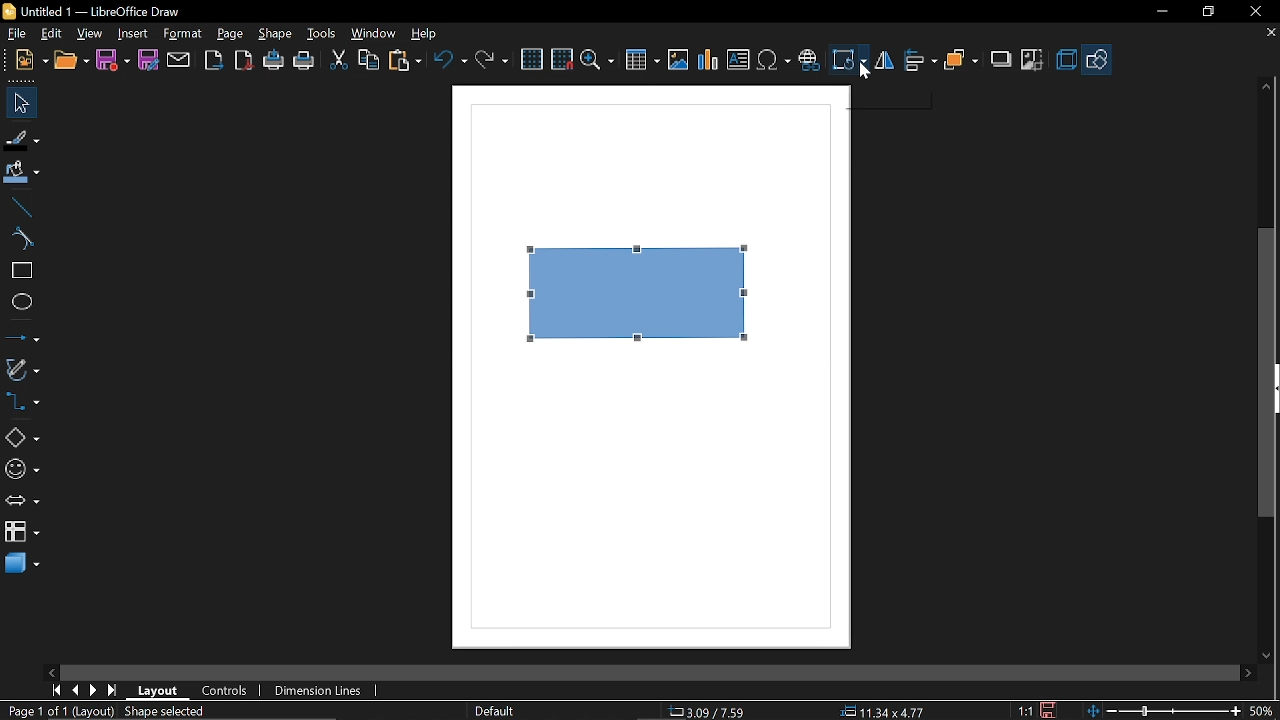 This screenshot has height=720, width=1280. What do you see at coordinates (305, 62) in the screenshot?
I see `print` at bounding box center [305, 62].